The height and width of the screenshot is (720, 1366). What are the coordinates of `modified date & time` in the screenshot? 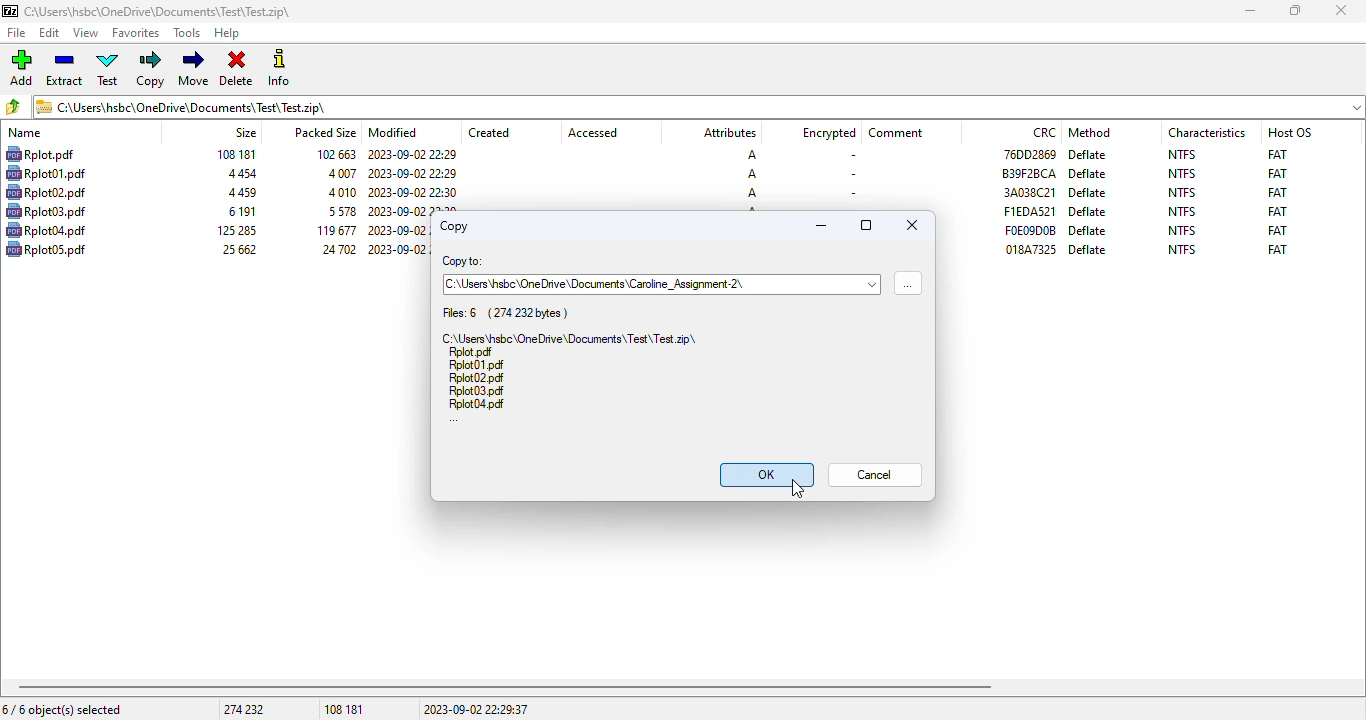 It's located at (398, 231).